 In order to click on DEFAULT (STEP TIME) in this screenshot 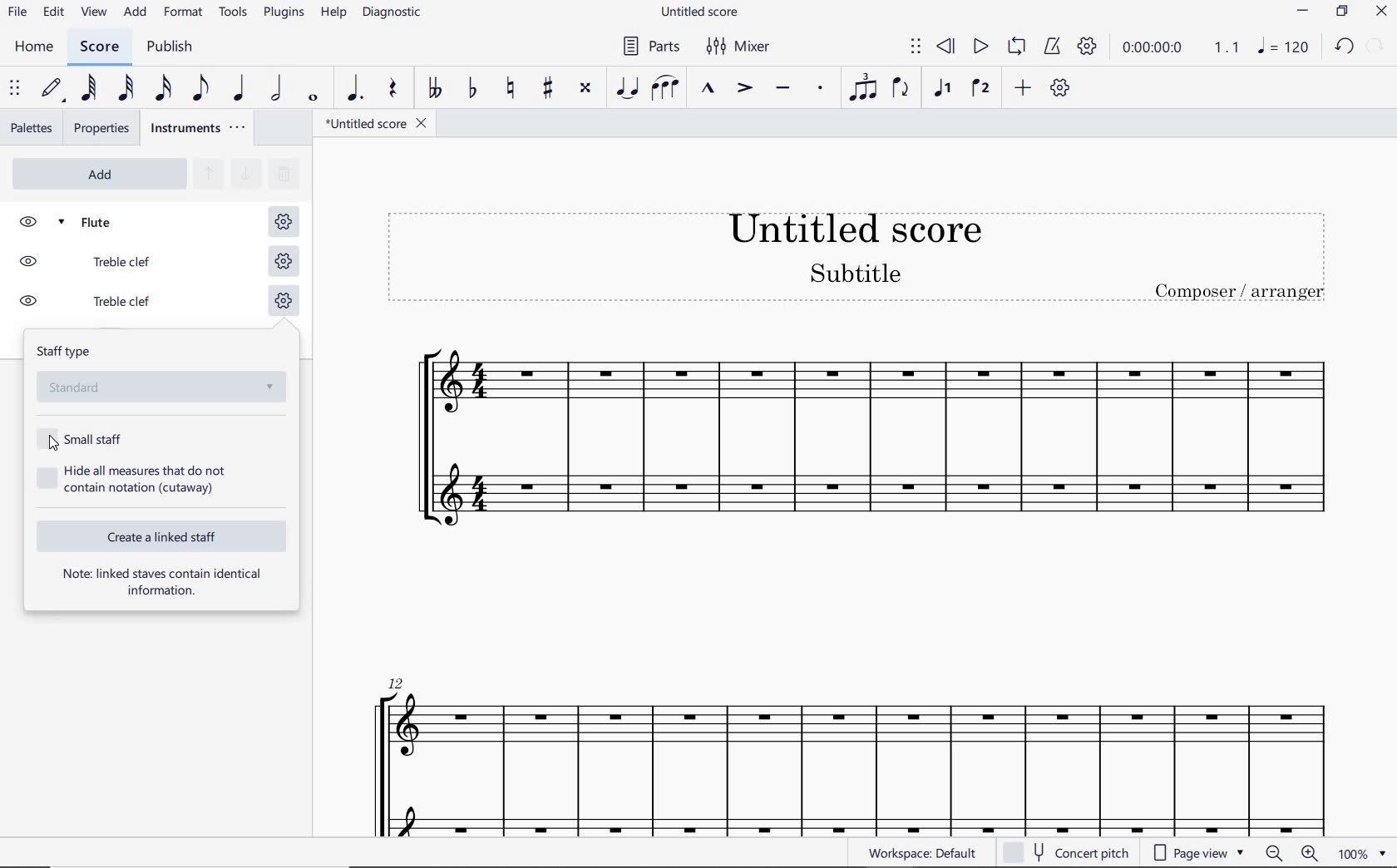, I will do `click(52, 89)`.